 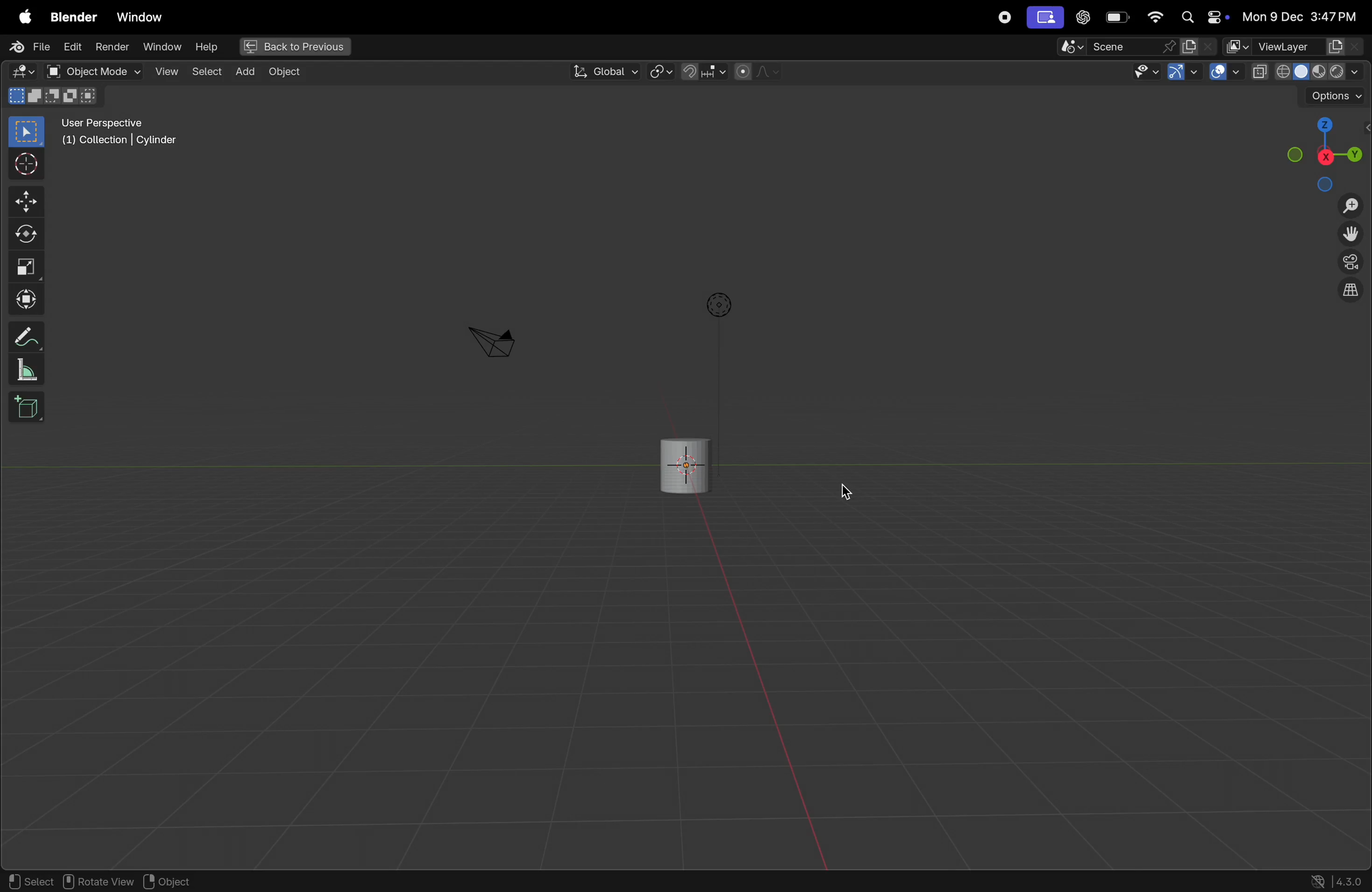 I want to click on Apple menu, so click(x=21, y=14).